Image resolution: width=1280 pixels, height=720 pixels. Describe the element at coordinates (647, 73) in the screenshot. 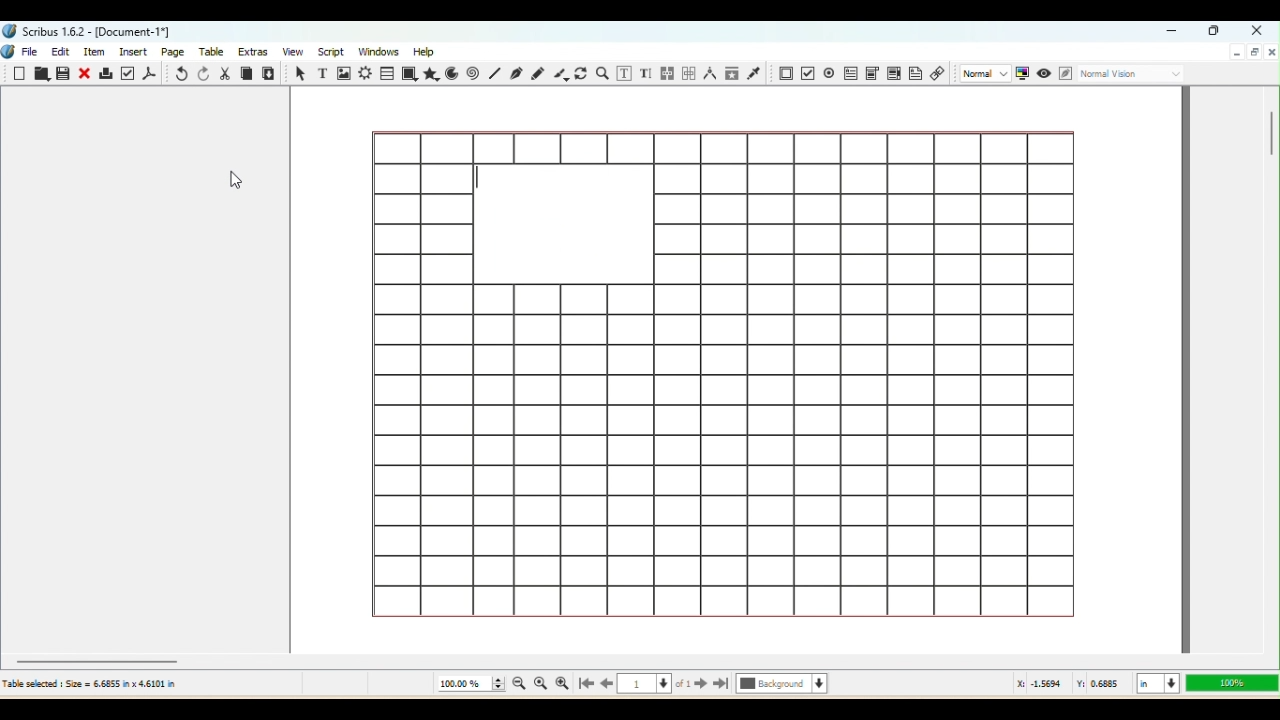

I see `Edit text with story editor` at that location.